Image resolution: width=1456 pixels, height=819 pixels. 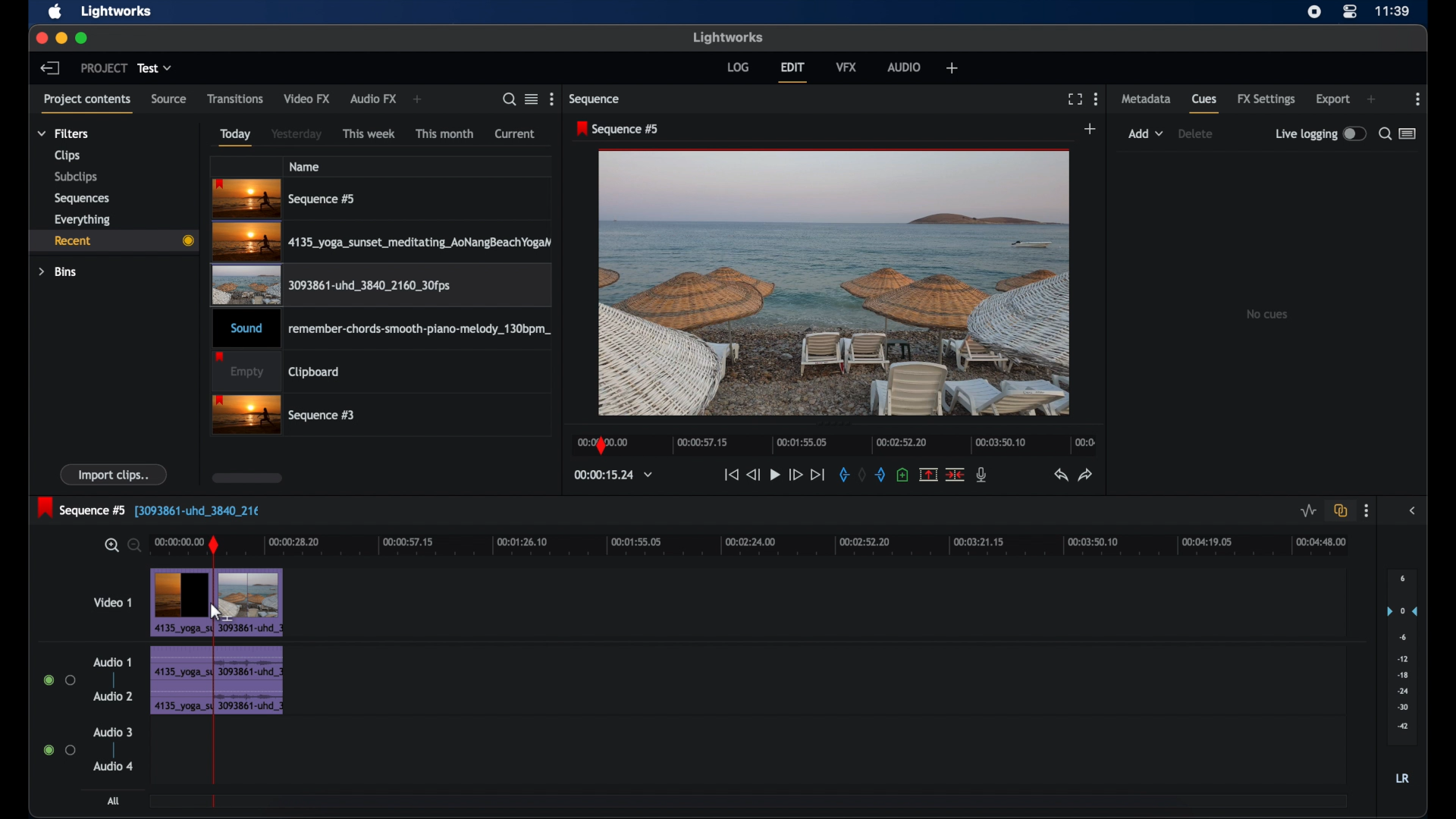 I want to click on test, so click(x=155, y=67).